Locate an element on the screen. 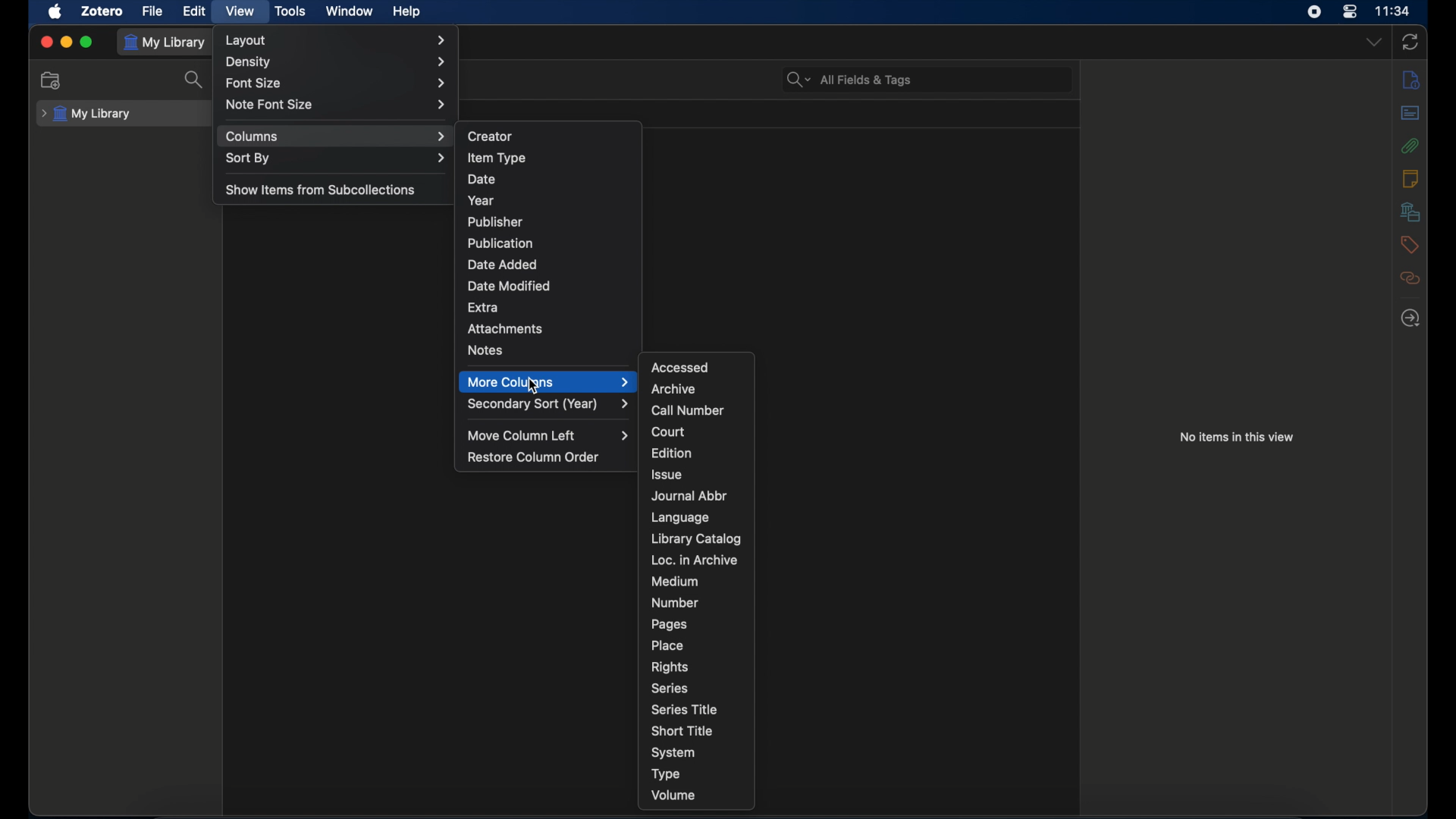 The image size is (1456, 819). creator is located at coordinates (491, 135).